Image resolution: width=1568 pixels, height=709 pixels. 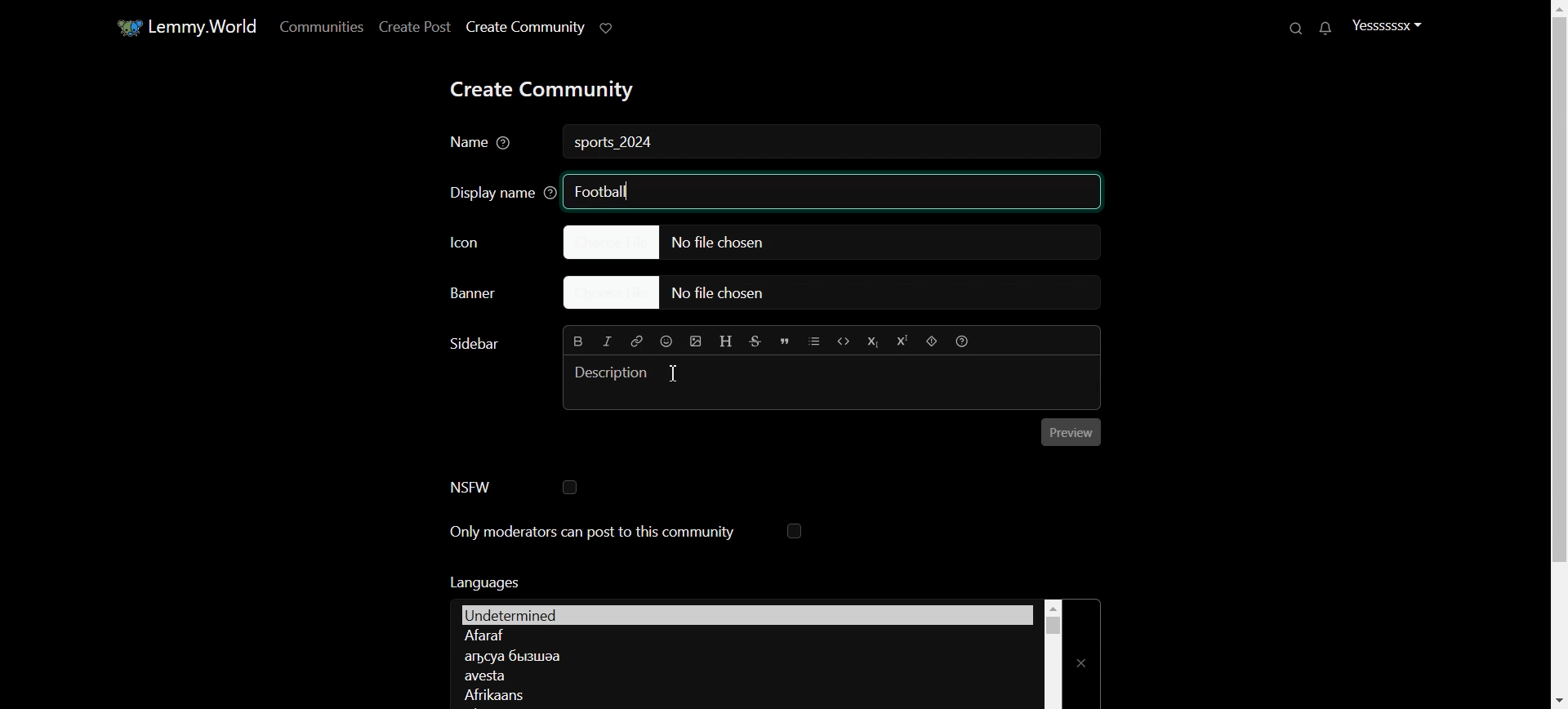 I want to click on Language, so click(x=744, y=636).